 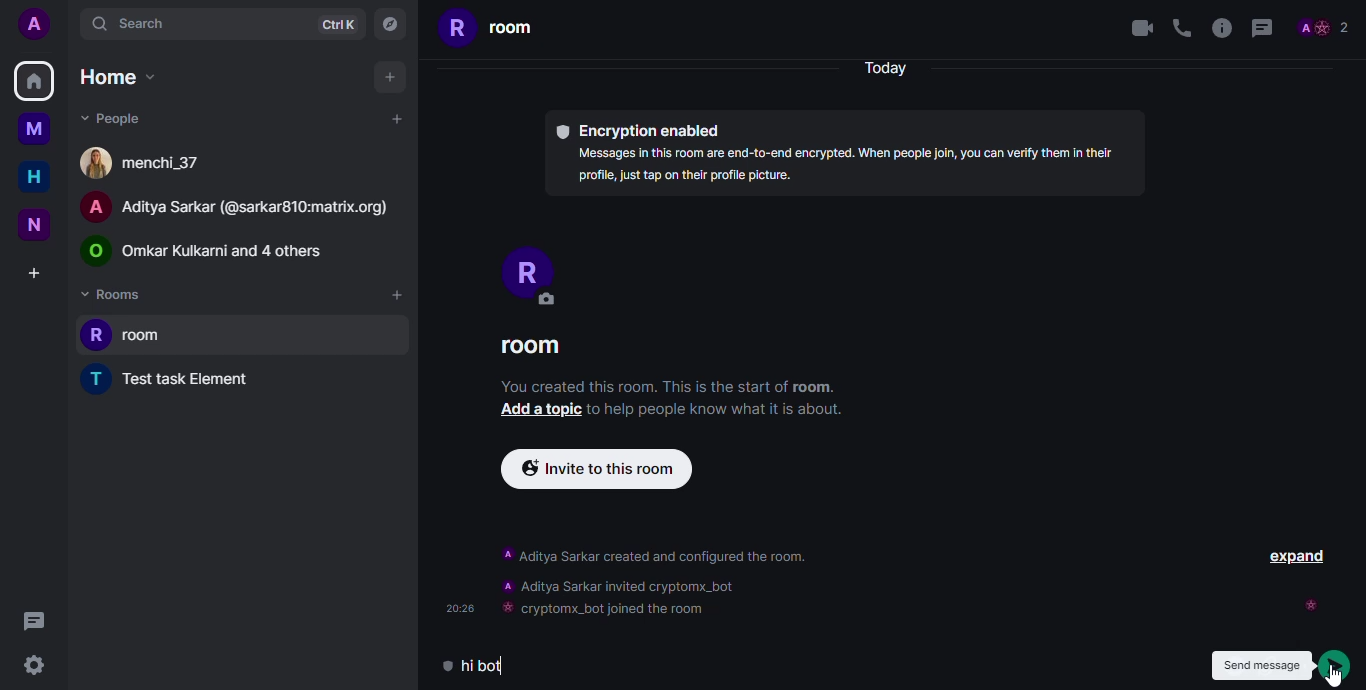 I want to click on threads, so click(x=33, y=621).